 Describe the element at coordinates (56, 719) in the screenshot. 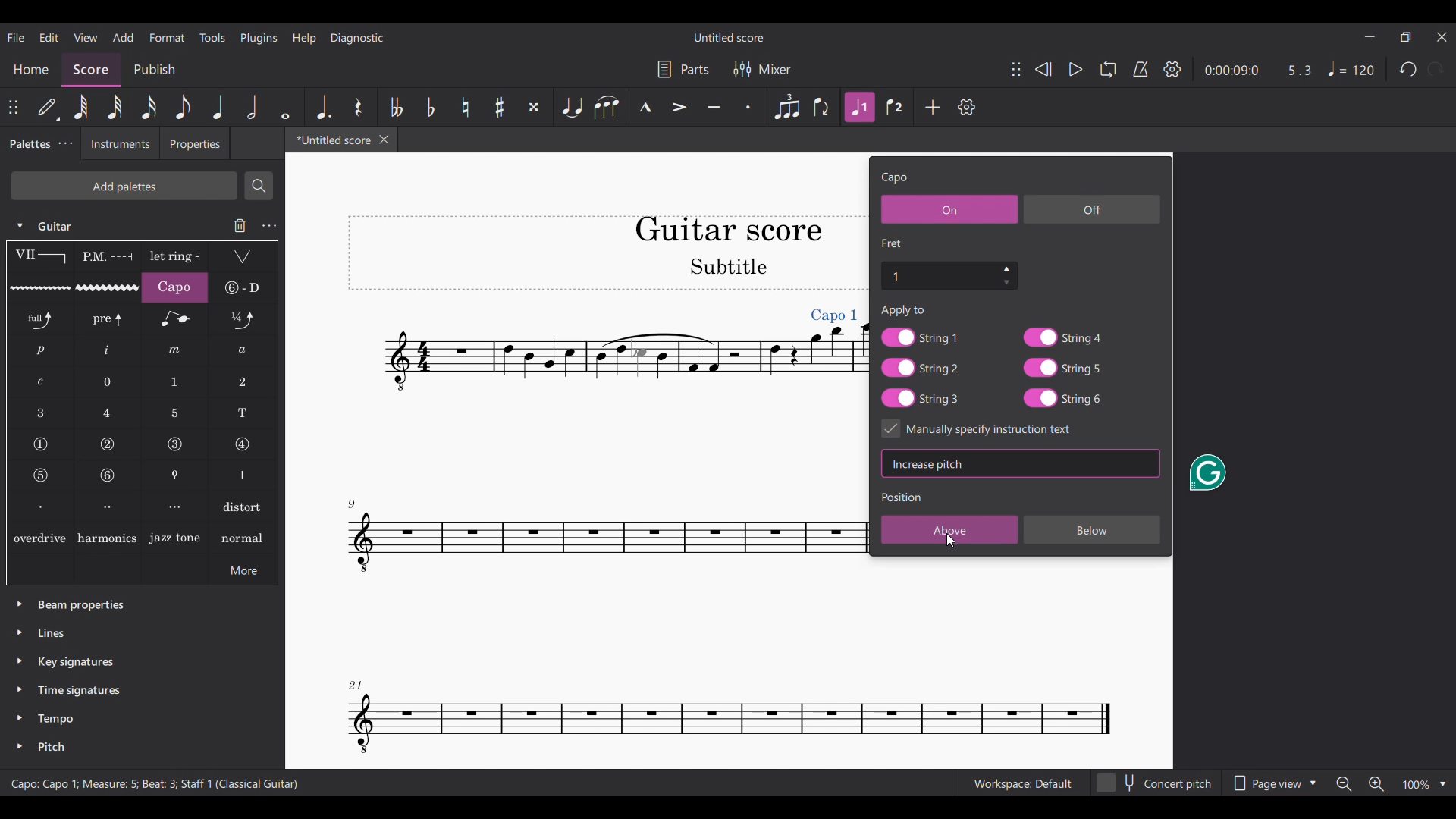

I see `Tempo` at that location.